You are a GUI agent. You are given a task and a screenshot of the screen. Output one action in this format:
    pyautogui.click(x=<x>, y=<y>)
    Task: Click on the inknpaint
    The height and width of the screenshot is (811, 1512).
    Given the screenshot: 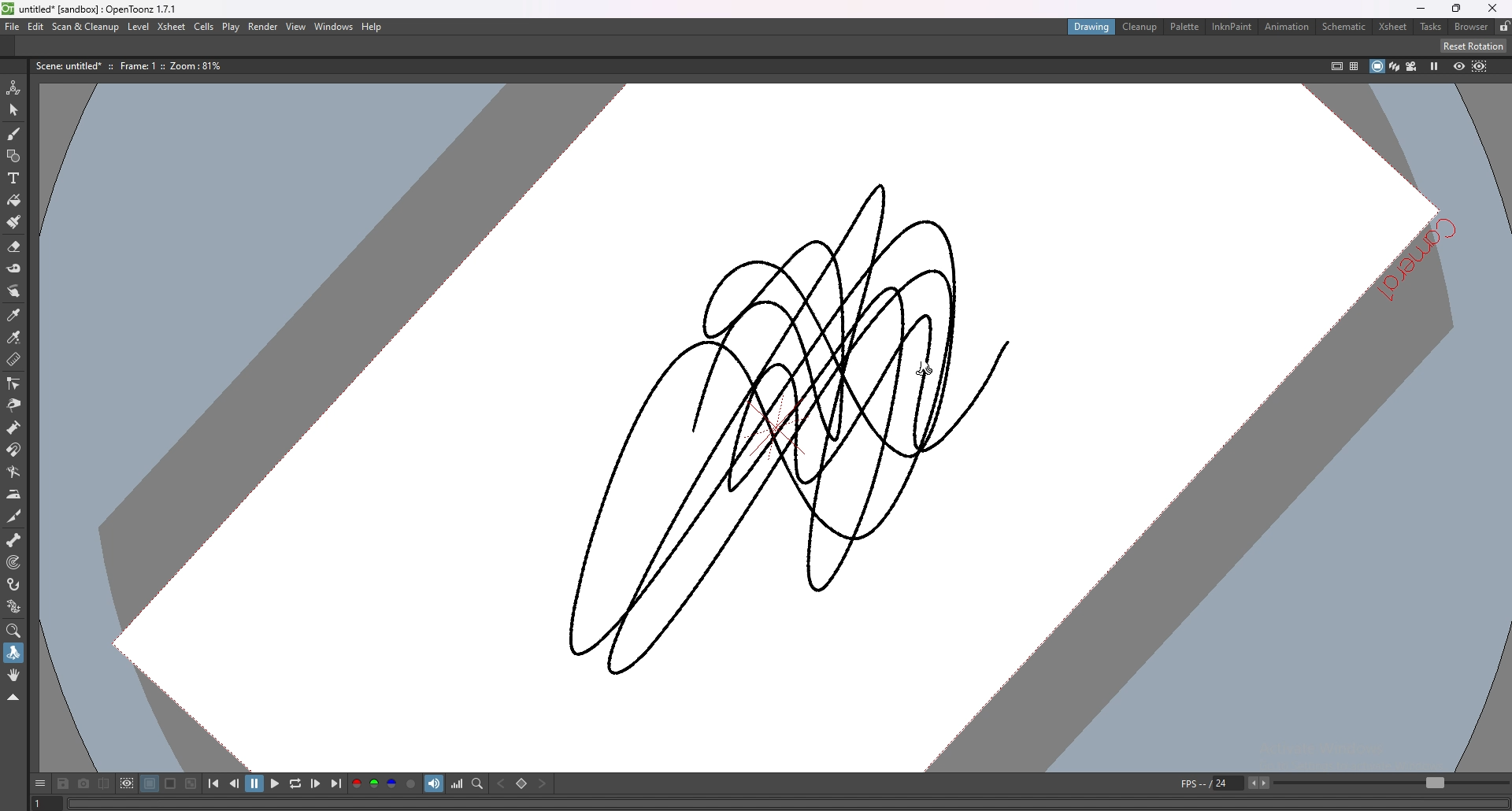 What is the action you would take?
    pyautogui.click(x=1236, y=26)
    